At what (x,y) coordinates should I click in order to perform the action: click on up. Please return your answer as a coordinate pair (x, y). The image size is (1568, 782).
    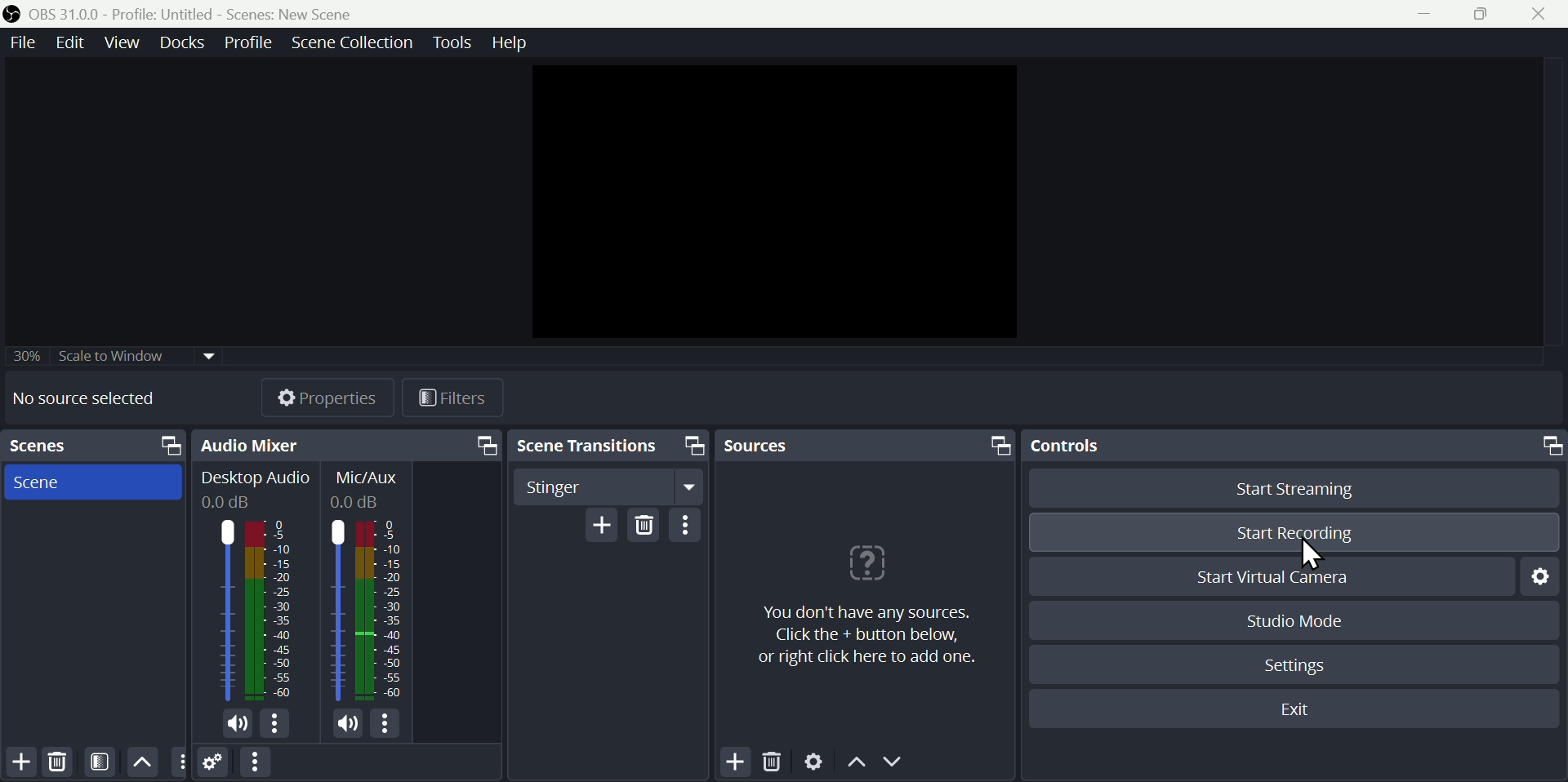
    Looking at the image, I should click on (856, 763).